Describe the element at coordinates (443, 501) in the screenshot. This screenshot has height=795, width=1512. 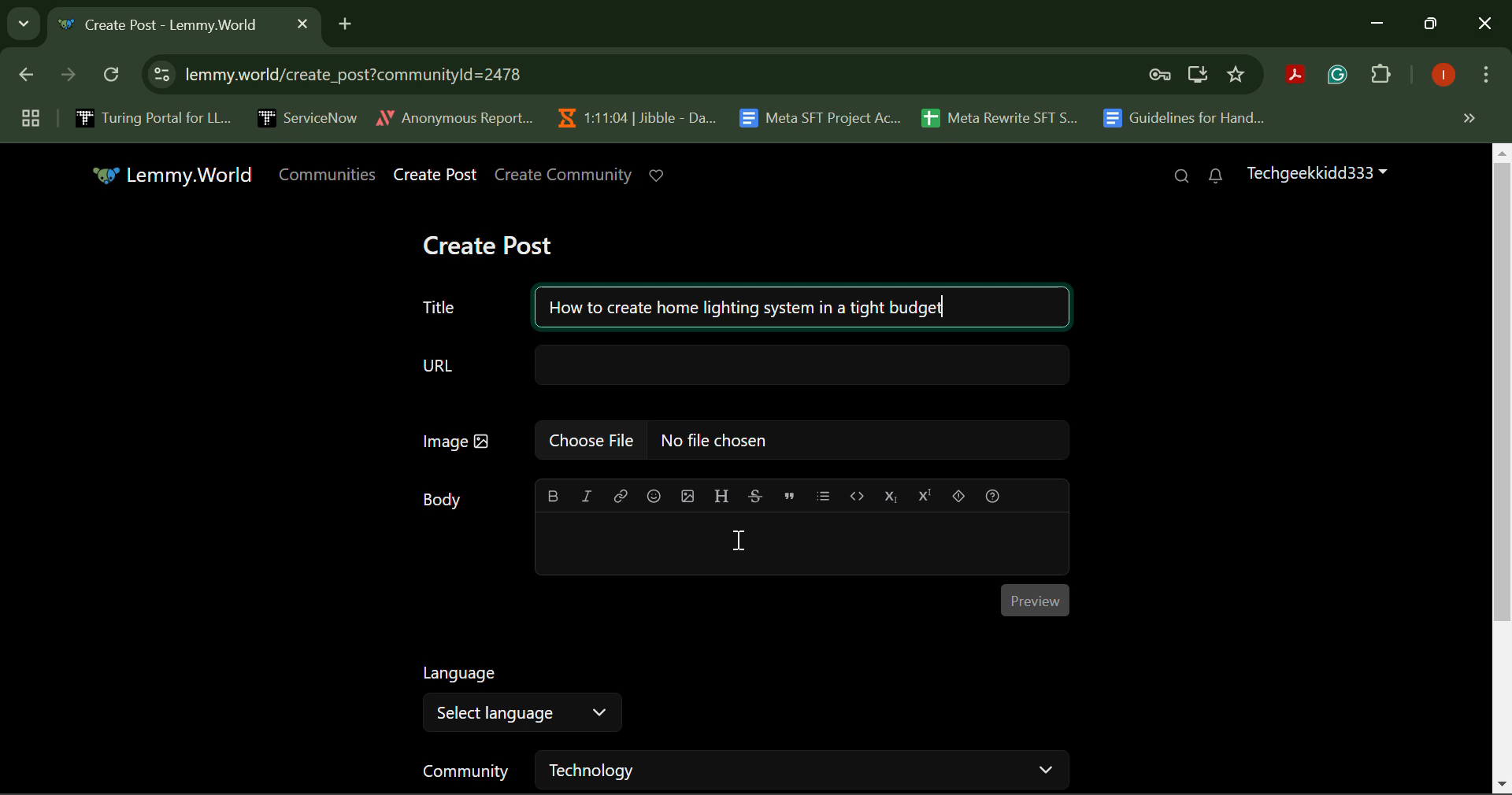
I see `Body` at that location.